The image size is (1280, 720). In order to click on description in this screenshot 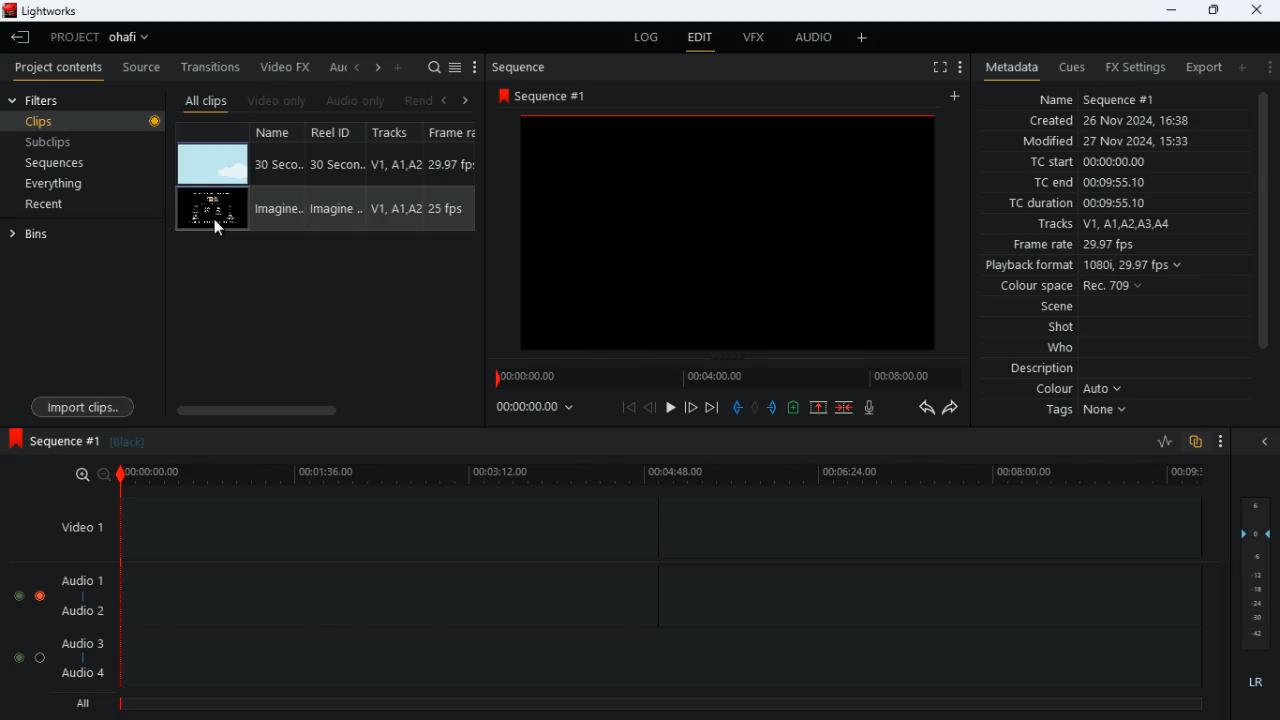, I will do `click(1033, 369)`.